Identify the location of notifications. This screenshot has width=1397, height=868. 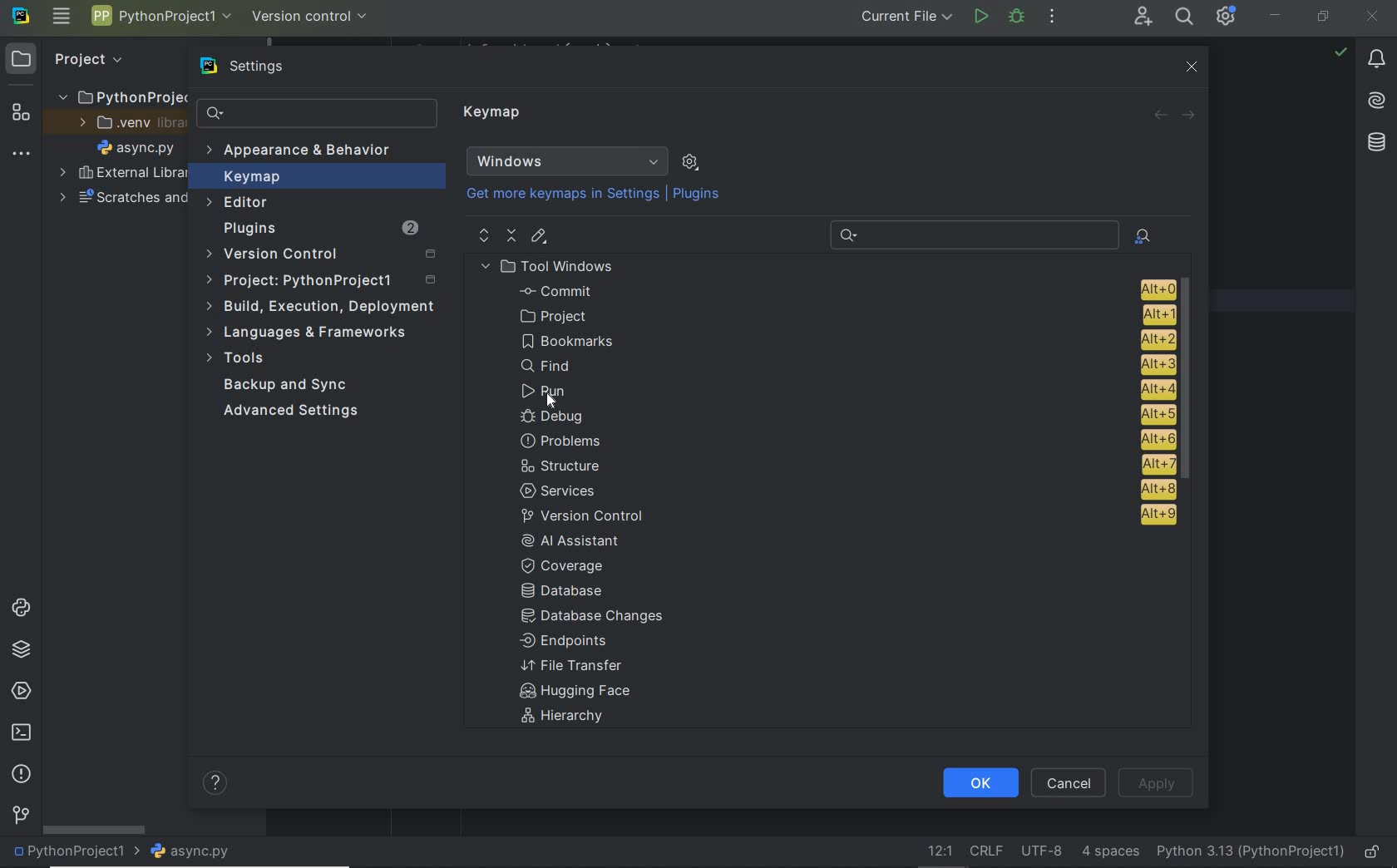
(1377, 60).